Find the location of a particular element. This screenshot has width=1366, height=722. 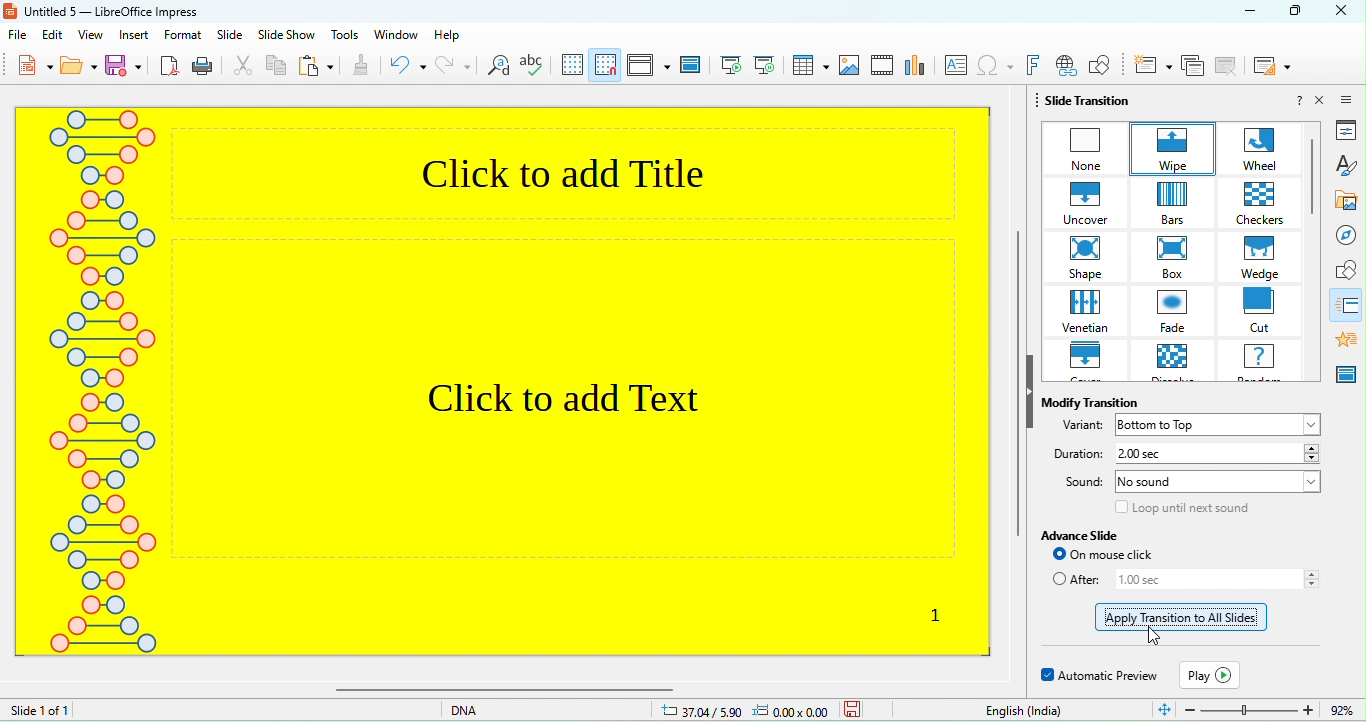

hyperlink is located at coordinates (1061, 68).